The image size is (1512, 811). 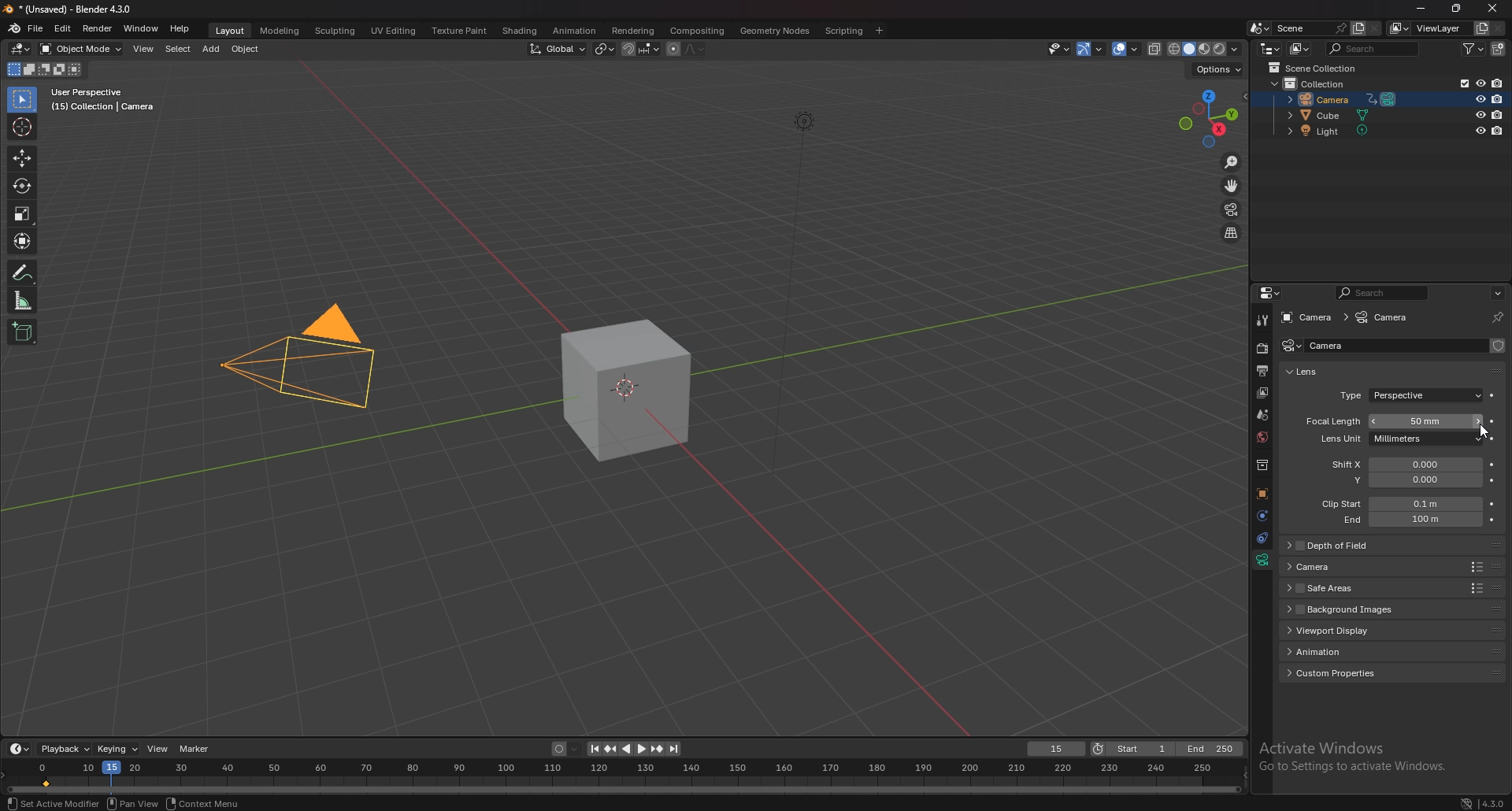 I want to click on start, so click(x=1132, y=750).